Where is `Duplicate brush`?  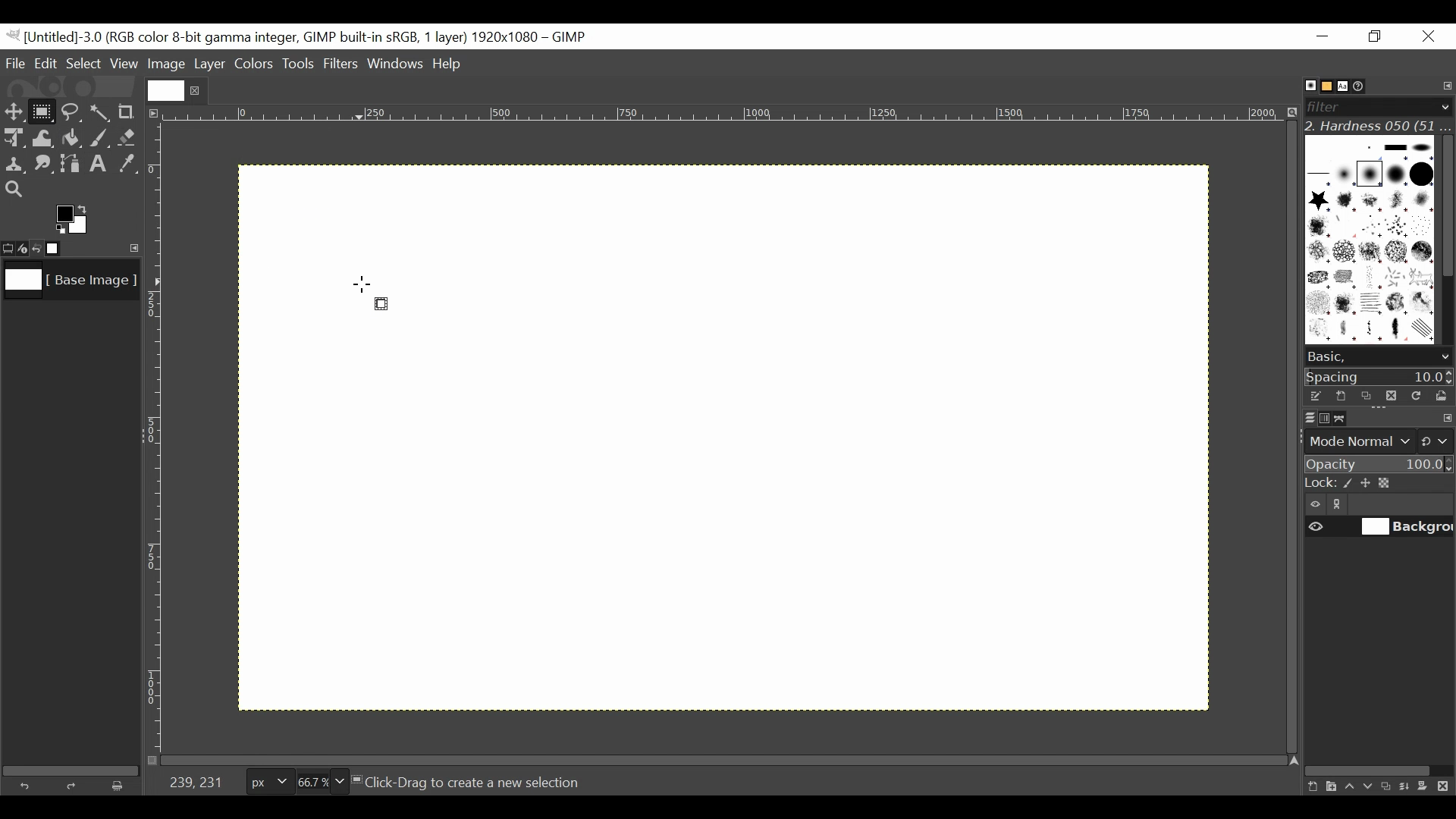 Duplicate brush is located at coordinates (1390, 395).